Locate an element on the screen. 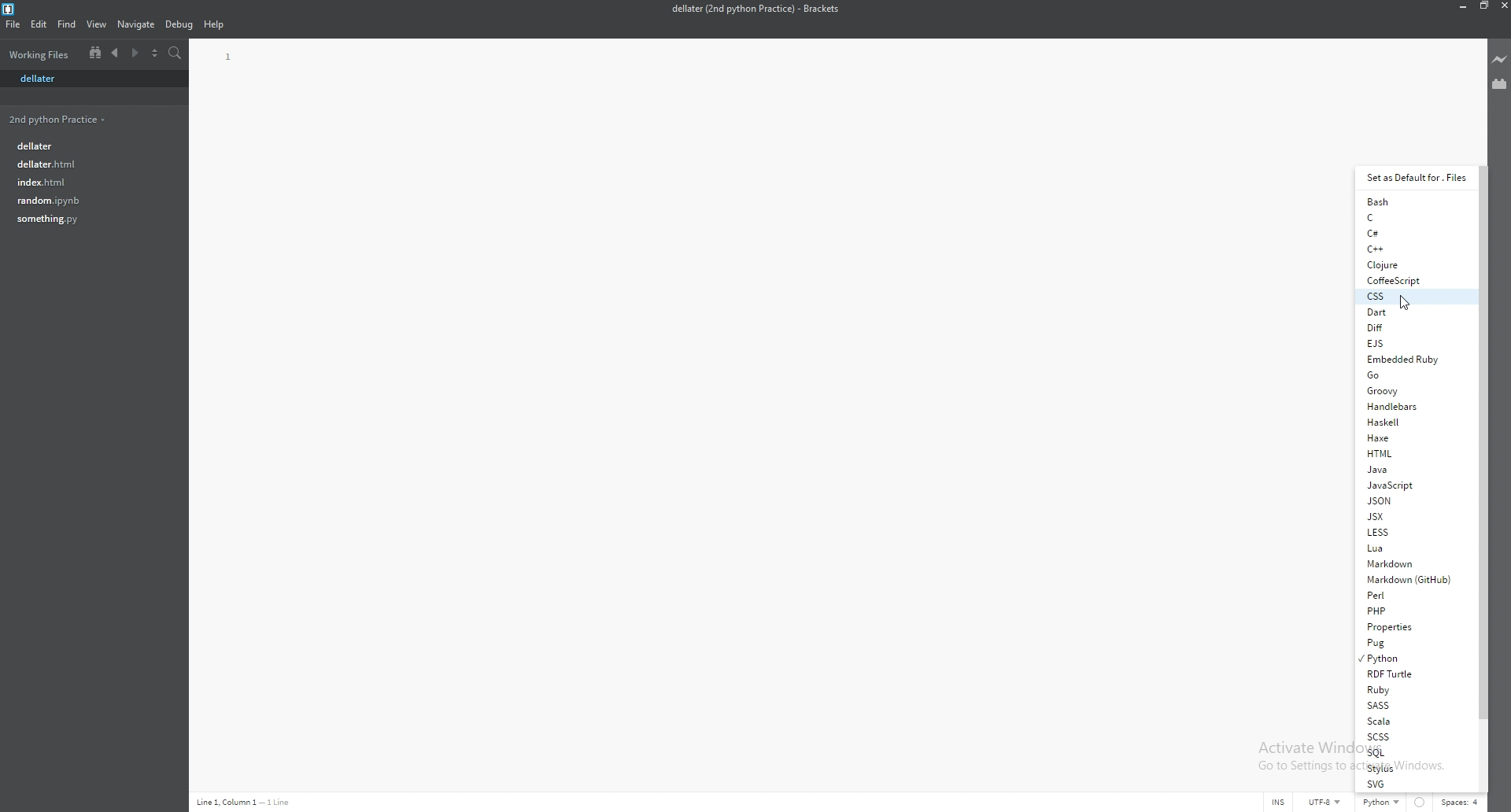 The width and height of the screenshot is (1511, 812). SPACES:4 is located at coordinates (1462, 803).